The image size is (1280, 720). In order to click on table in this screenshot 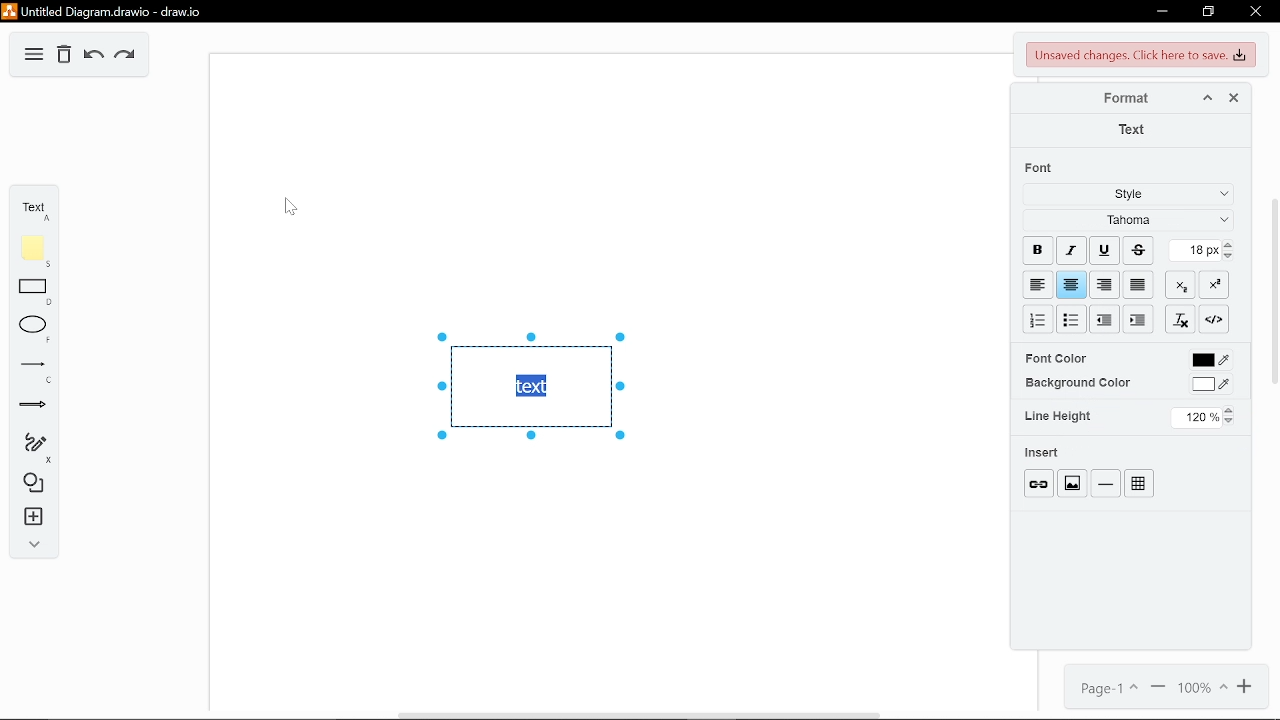, I will do `click(1139, 483)`.